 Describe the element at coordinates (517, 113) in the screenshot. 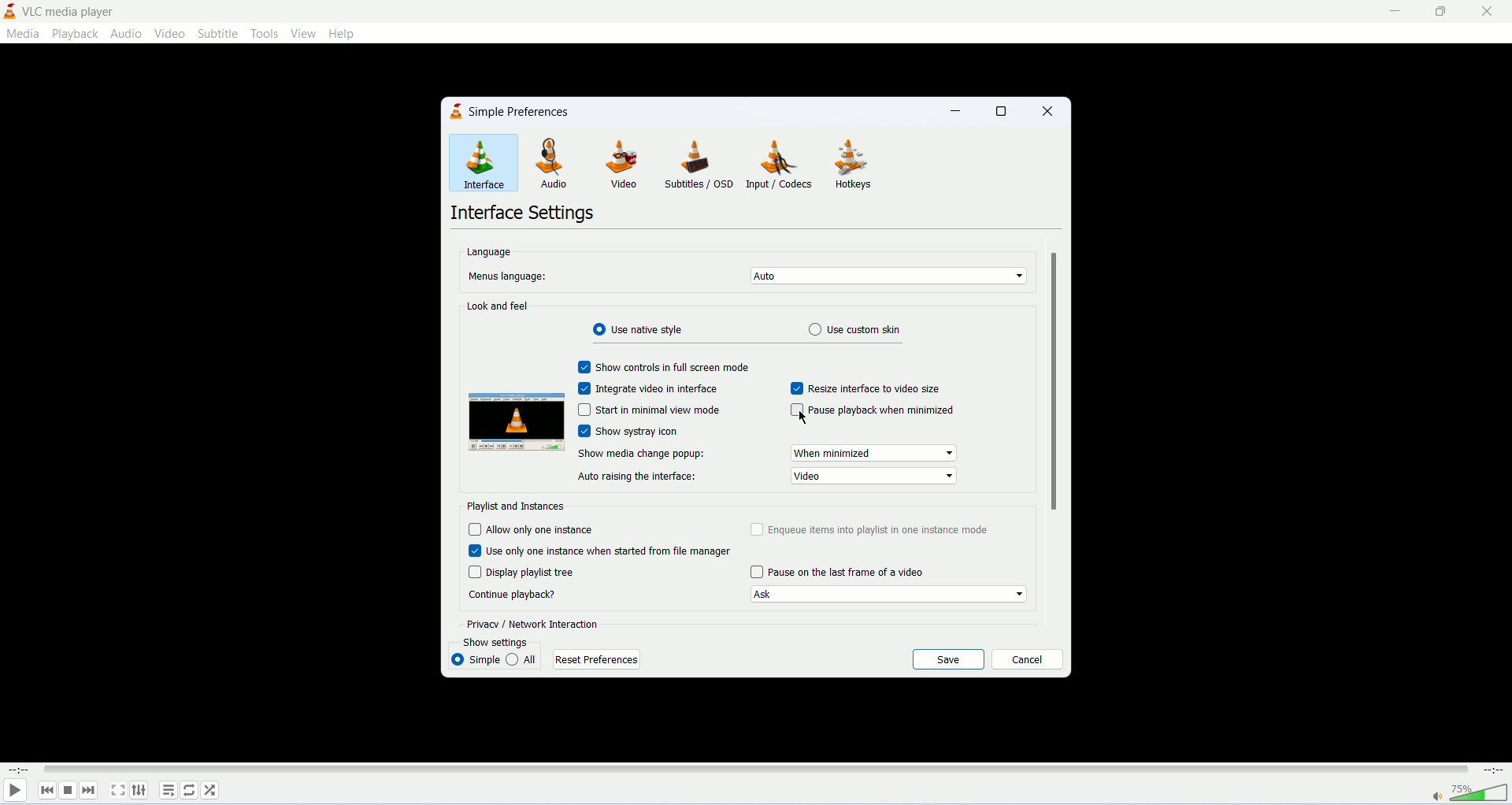

I see `simple preferences` at that location.